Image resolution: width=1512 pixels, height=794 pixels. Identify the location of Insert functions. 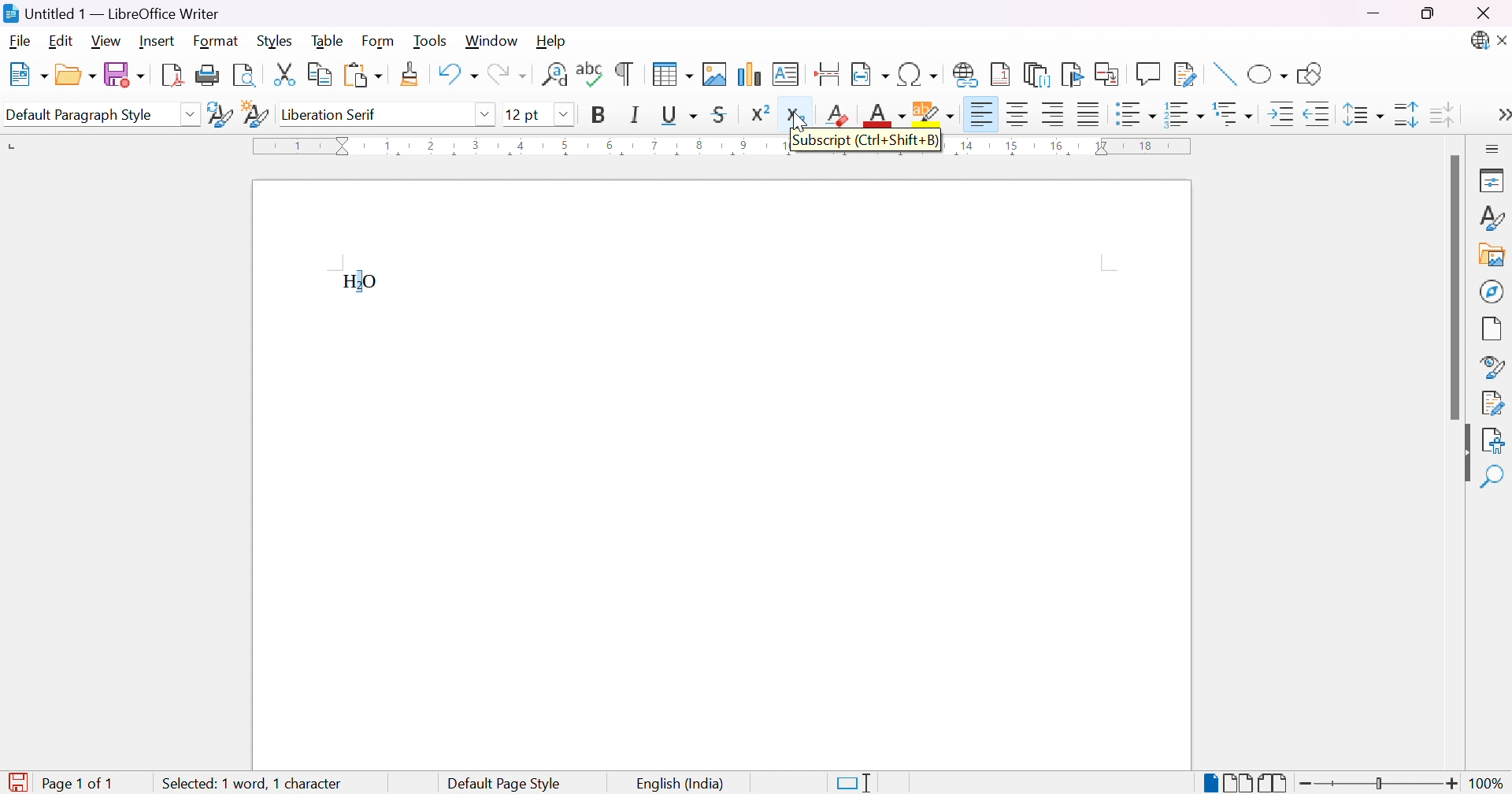
(1147, 74).